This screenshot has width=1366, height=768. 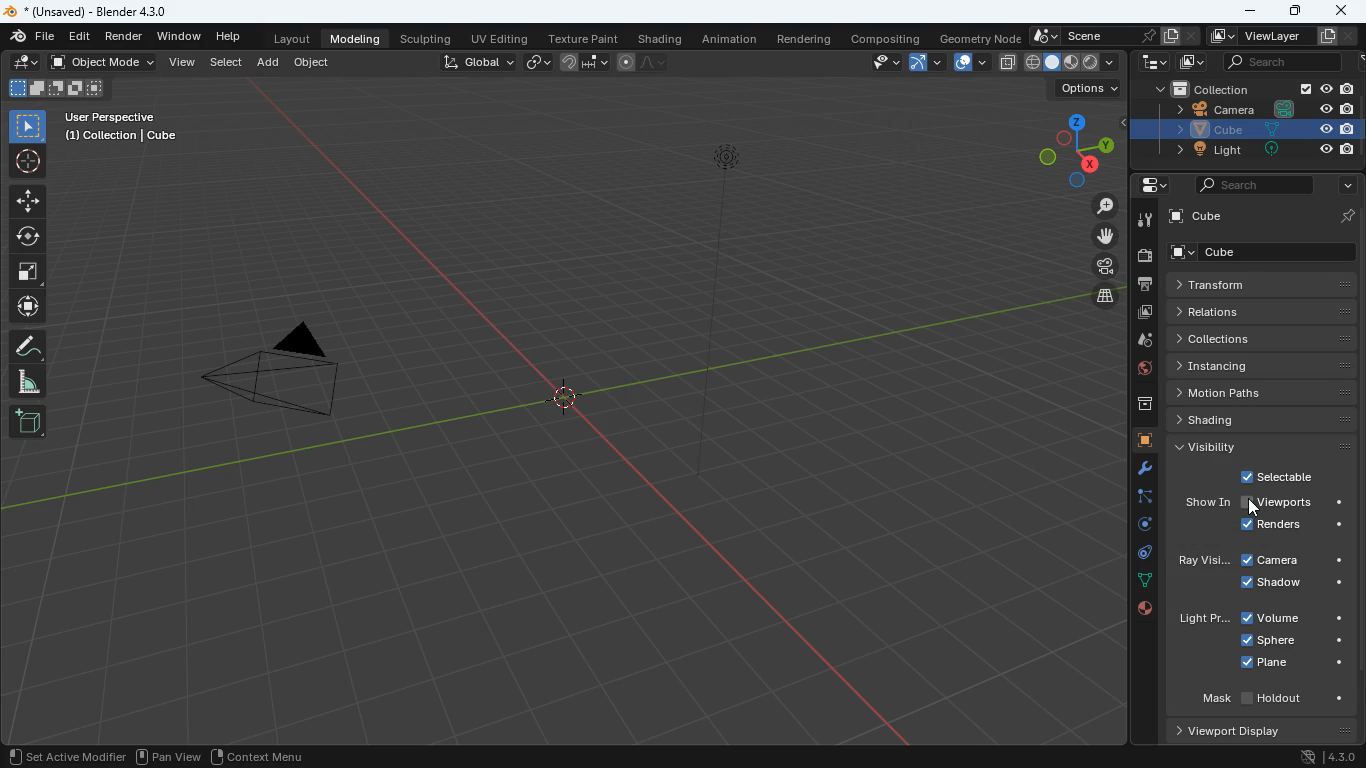 I want to click on arc, so click(x=927, y=61).